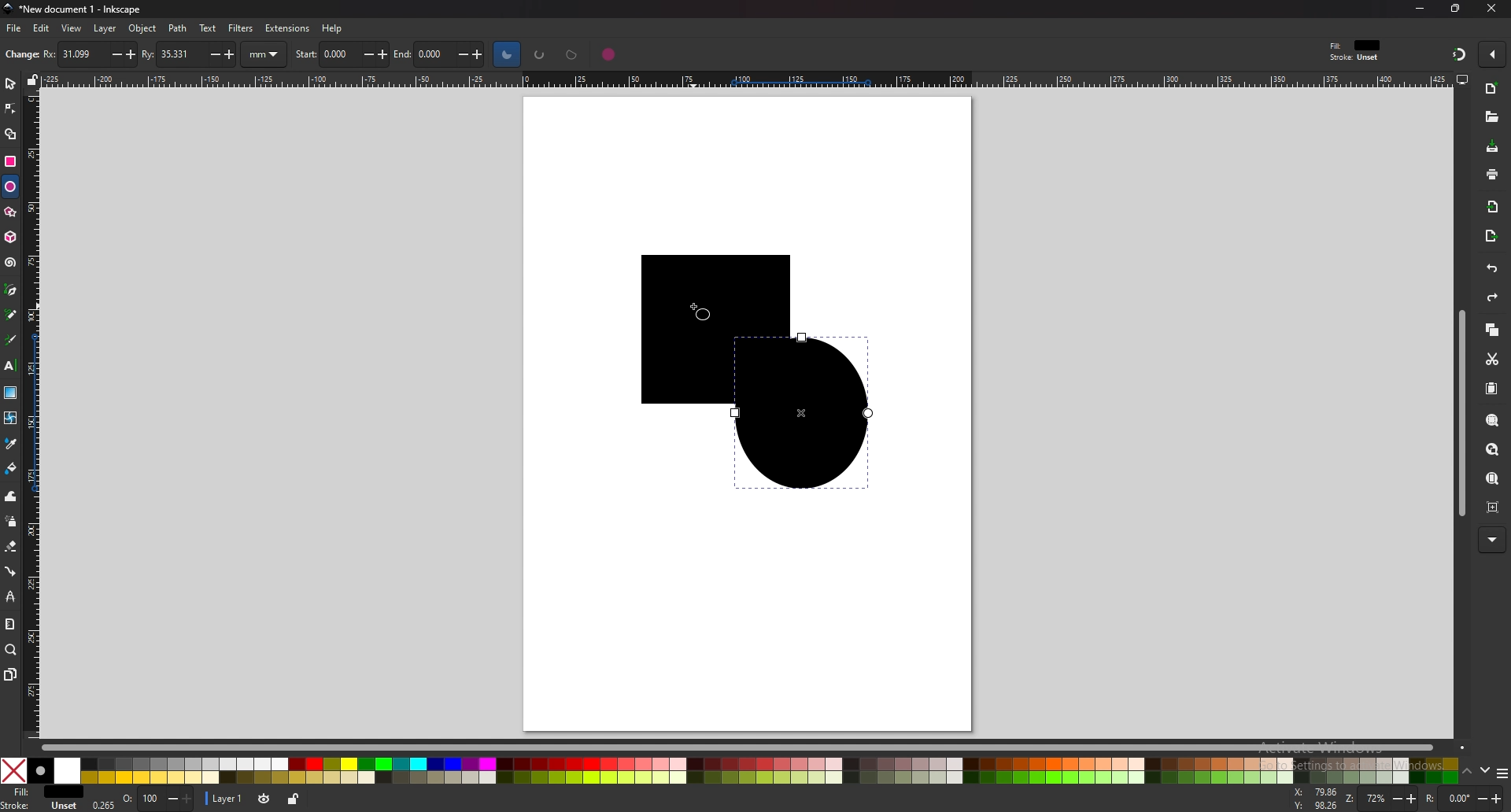 The image size is (1511, 812). What do you see at coordinates (11, 262) in the screenshot?
I see `spiral` at bounding box center [11, 262].